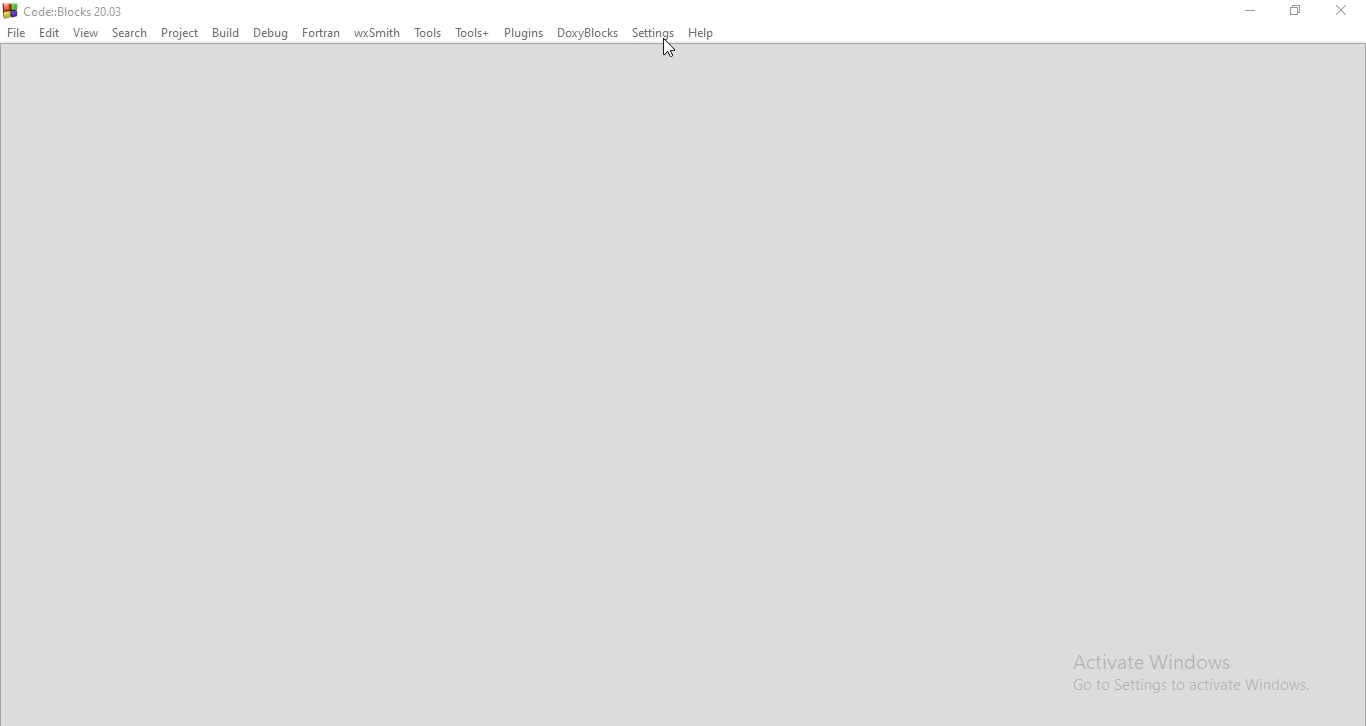  Describe the element at coordinates (702, 33) in the screenshot. I see `Help` at that location.